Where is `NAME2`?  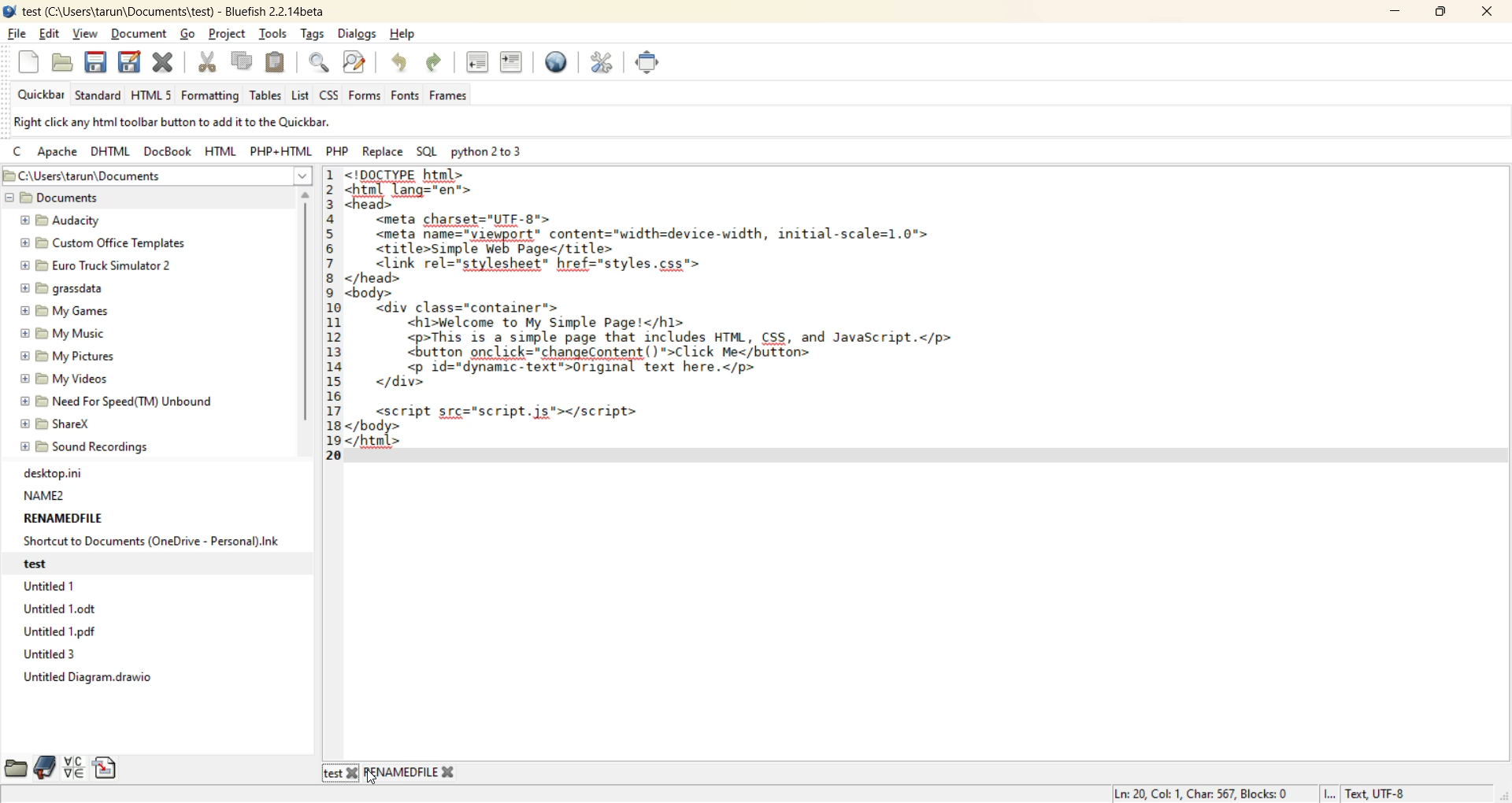 NAME2 is located at coordinates (46, 492).